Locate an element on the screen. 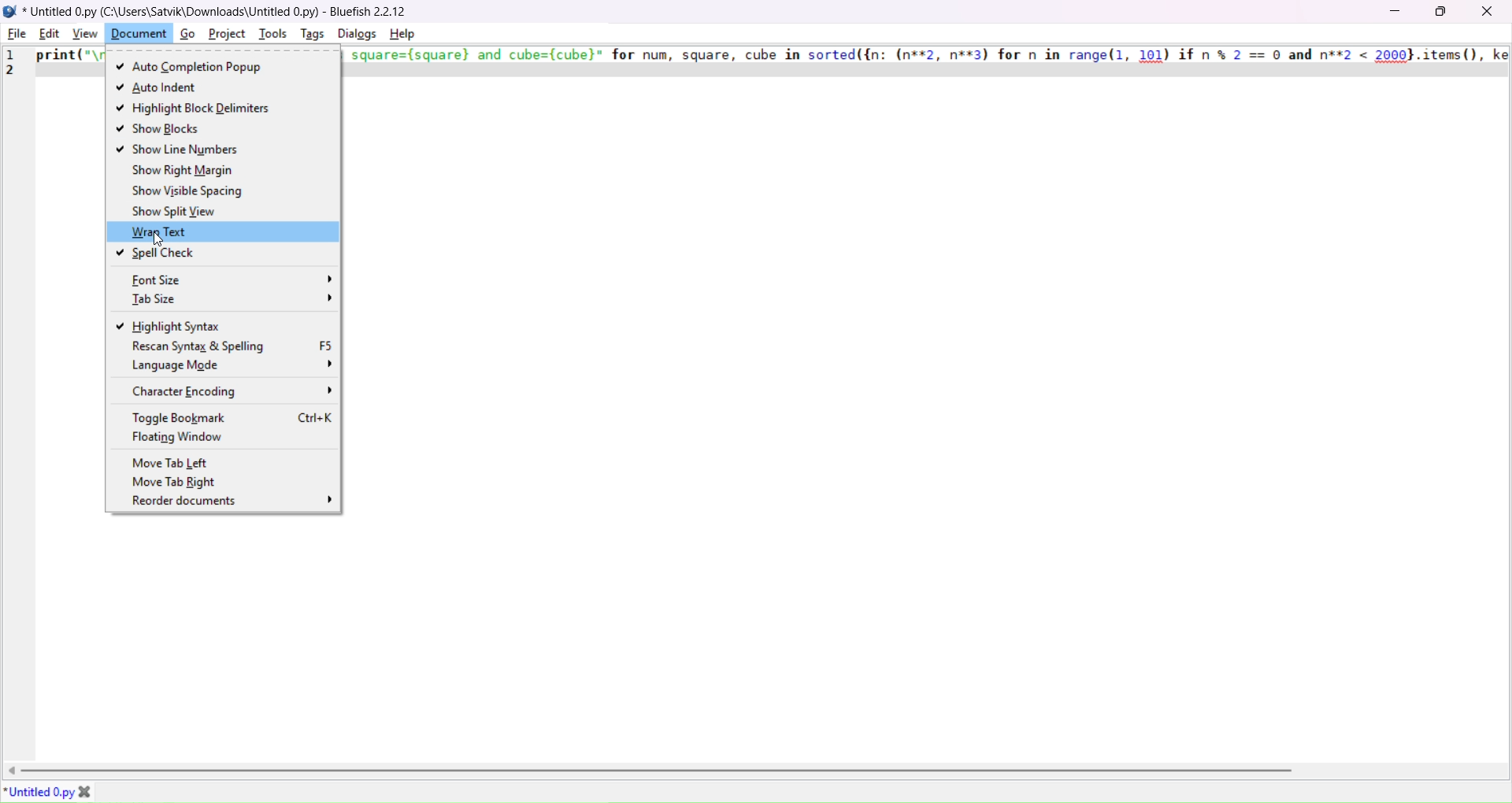  reorder documents is located at coordinates (229, 504).